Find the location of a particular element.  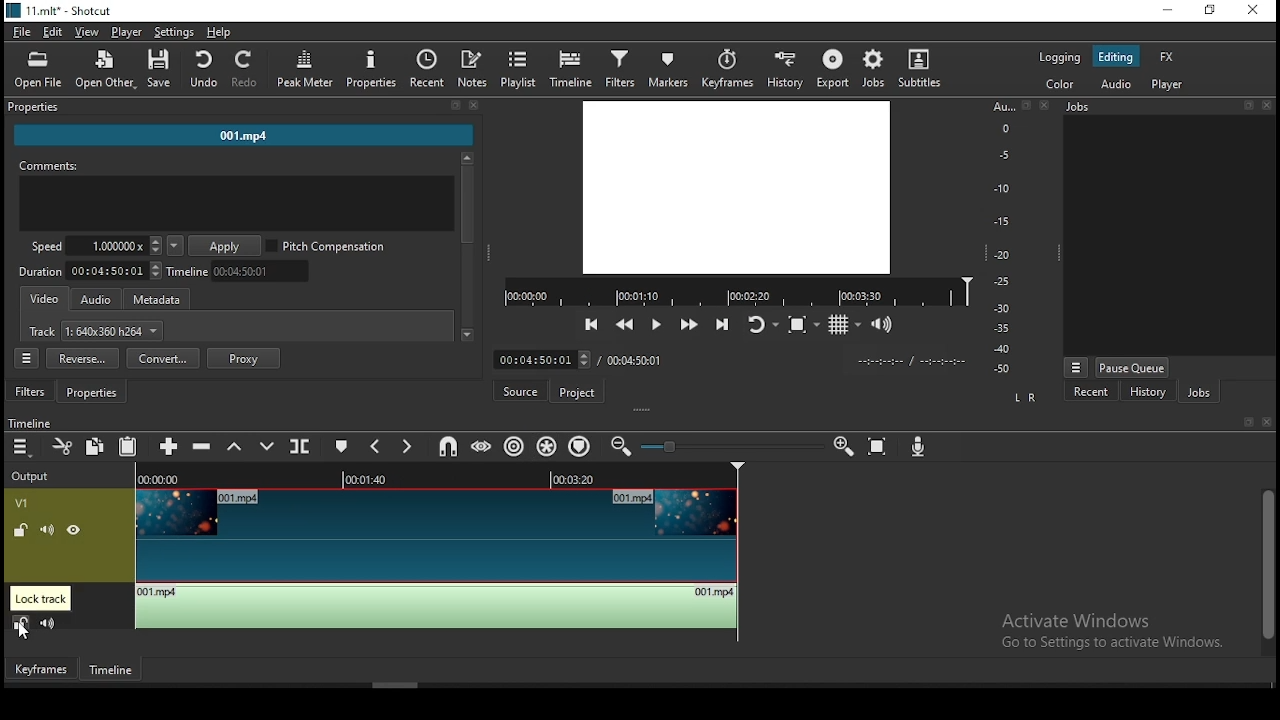

properties is located at coordinates (91, 393).